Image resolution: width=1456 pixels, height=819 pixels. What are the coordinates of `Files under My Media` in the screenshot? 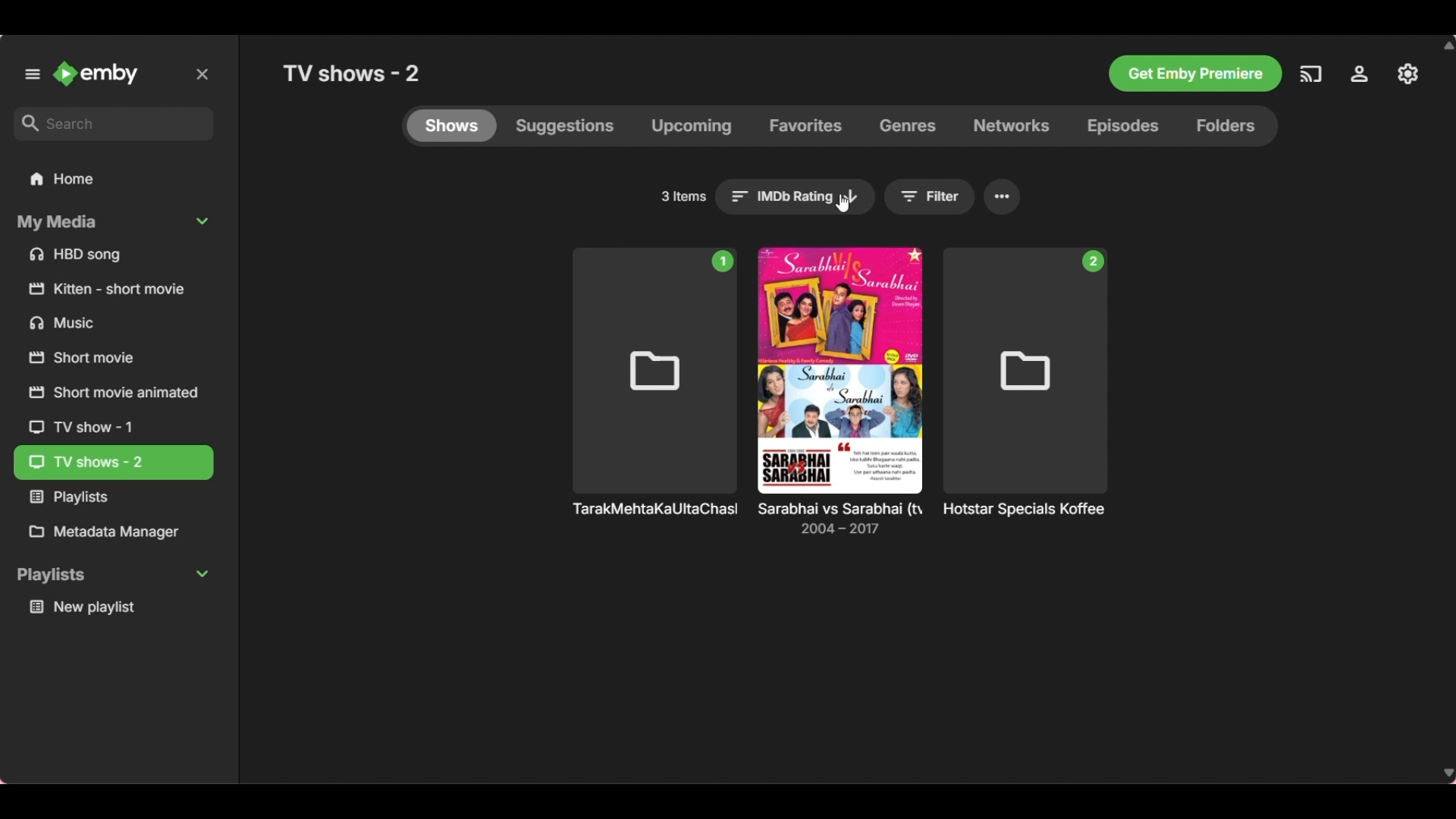 It's located at (112, 255).